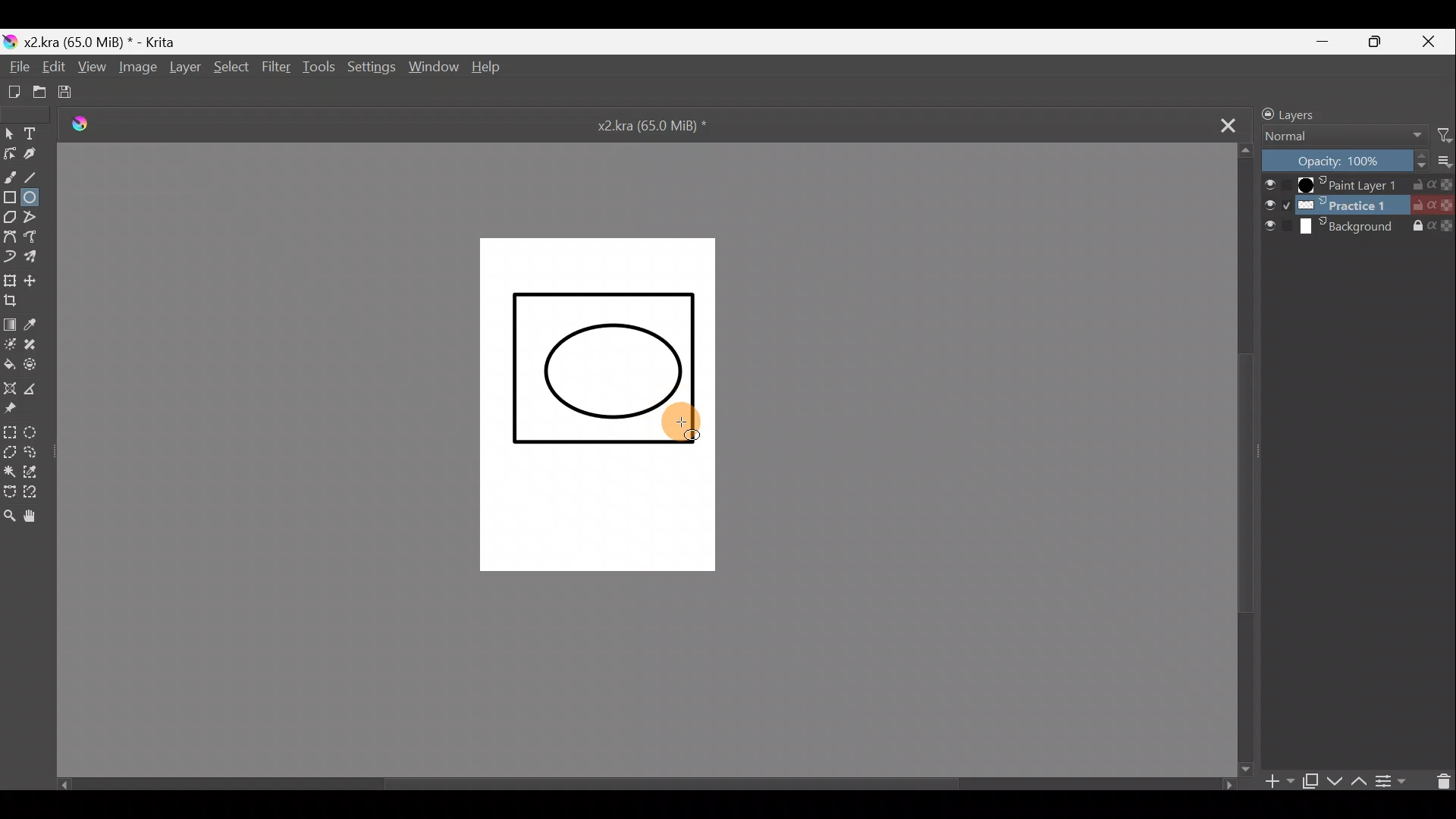 The height and width of the screenshot is (819, 1456). What do you see at coordinates (35, 256) in the screenshot?
I see `Multibrush tool` at bounding box center [35, 256].